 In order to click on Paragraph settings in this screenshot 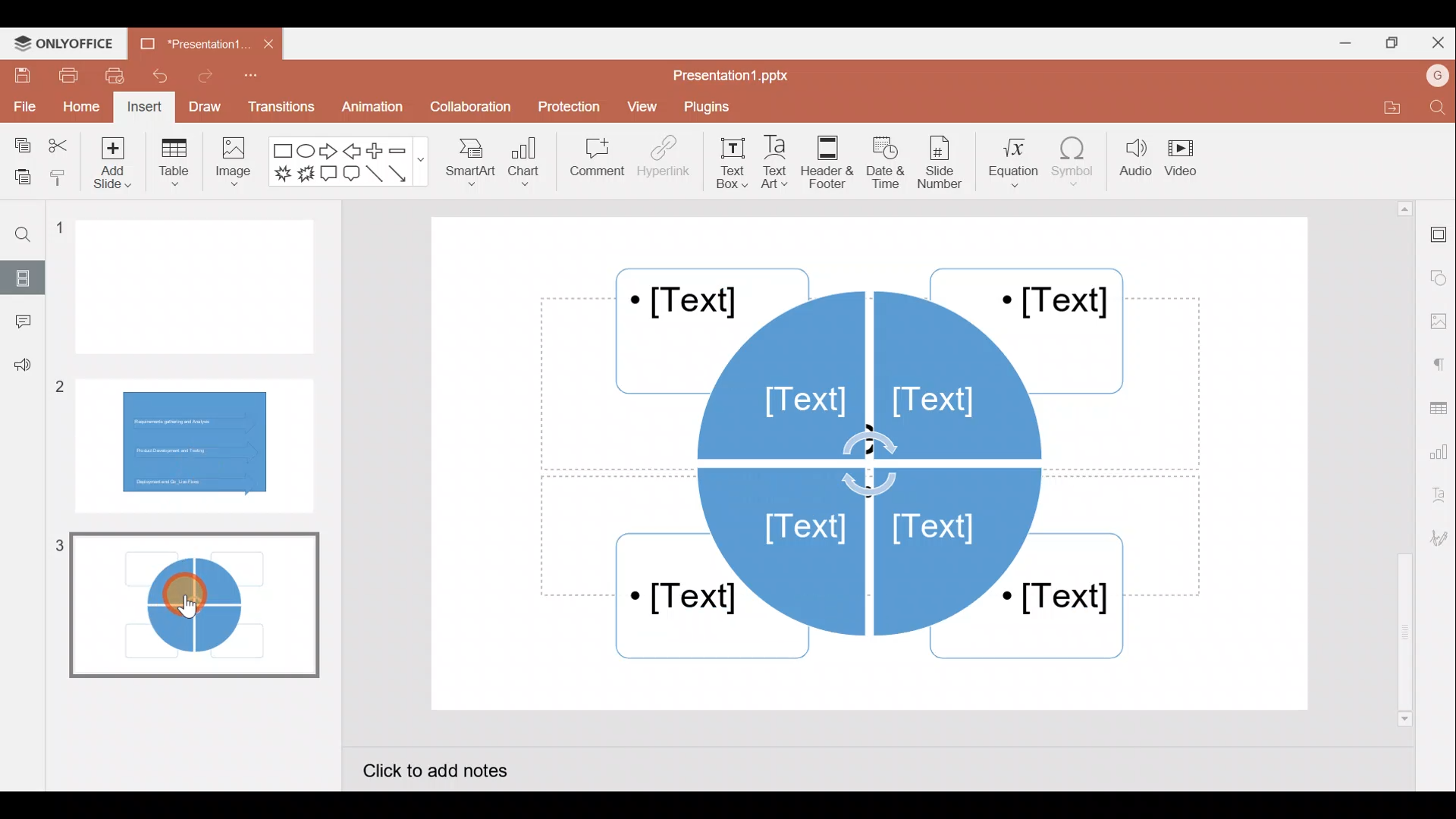, I will do `click(1441, 365)`.